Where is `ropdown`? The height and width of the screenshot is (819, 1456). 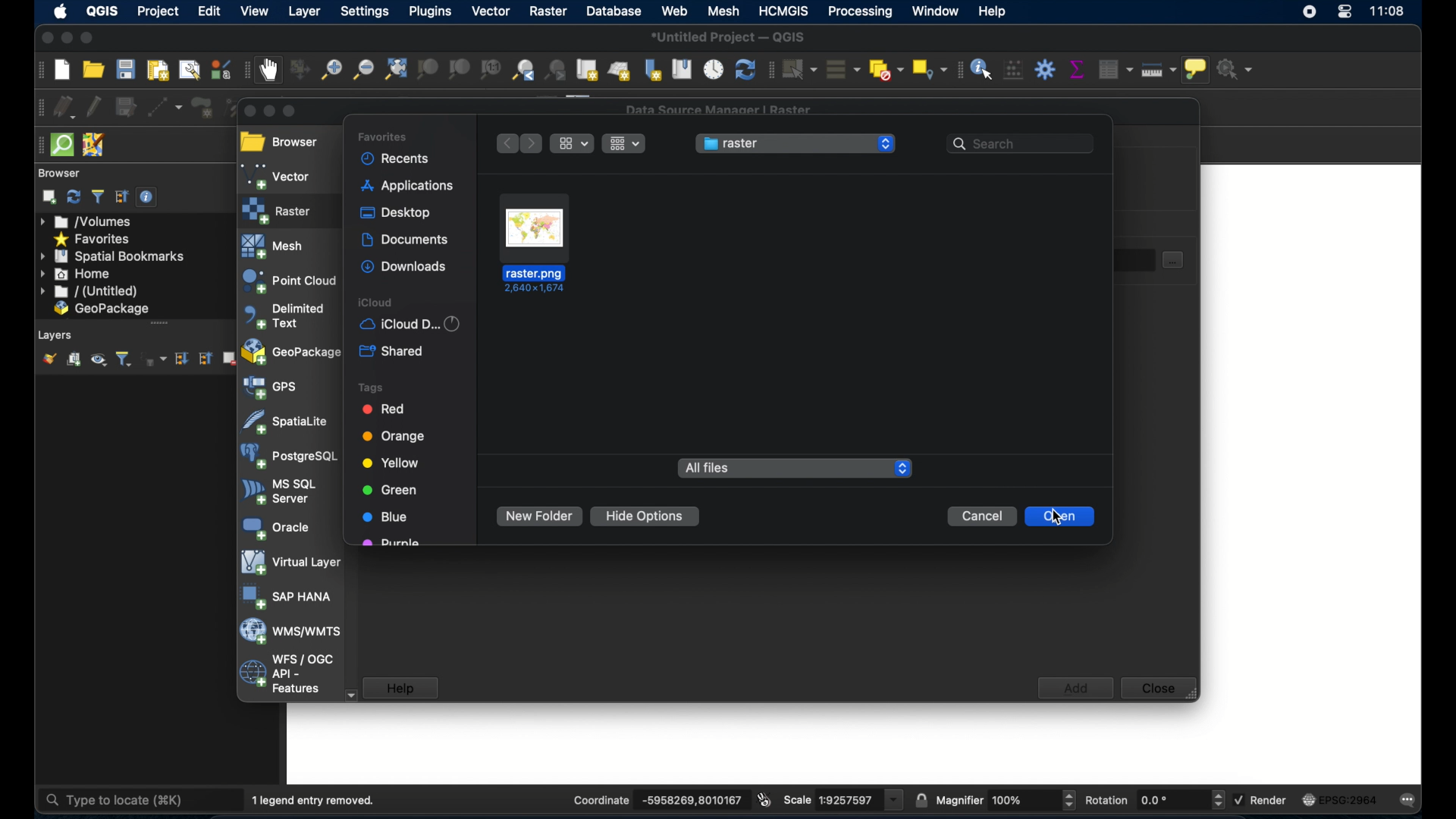 ropdown is located at coordinates (572, 143).